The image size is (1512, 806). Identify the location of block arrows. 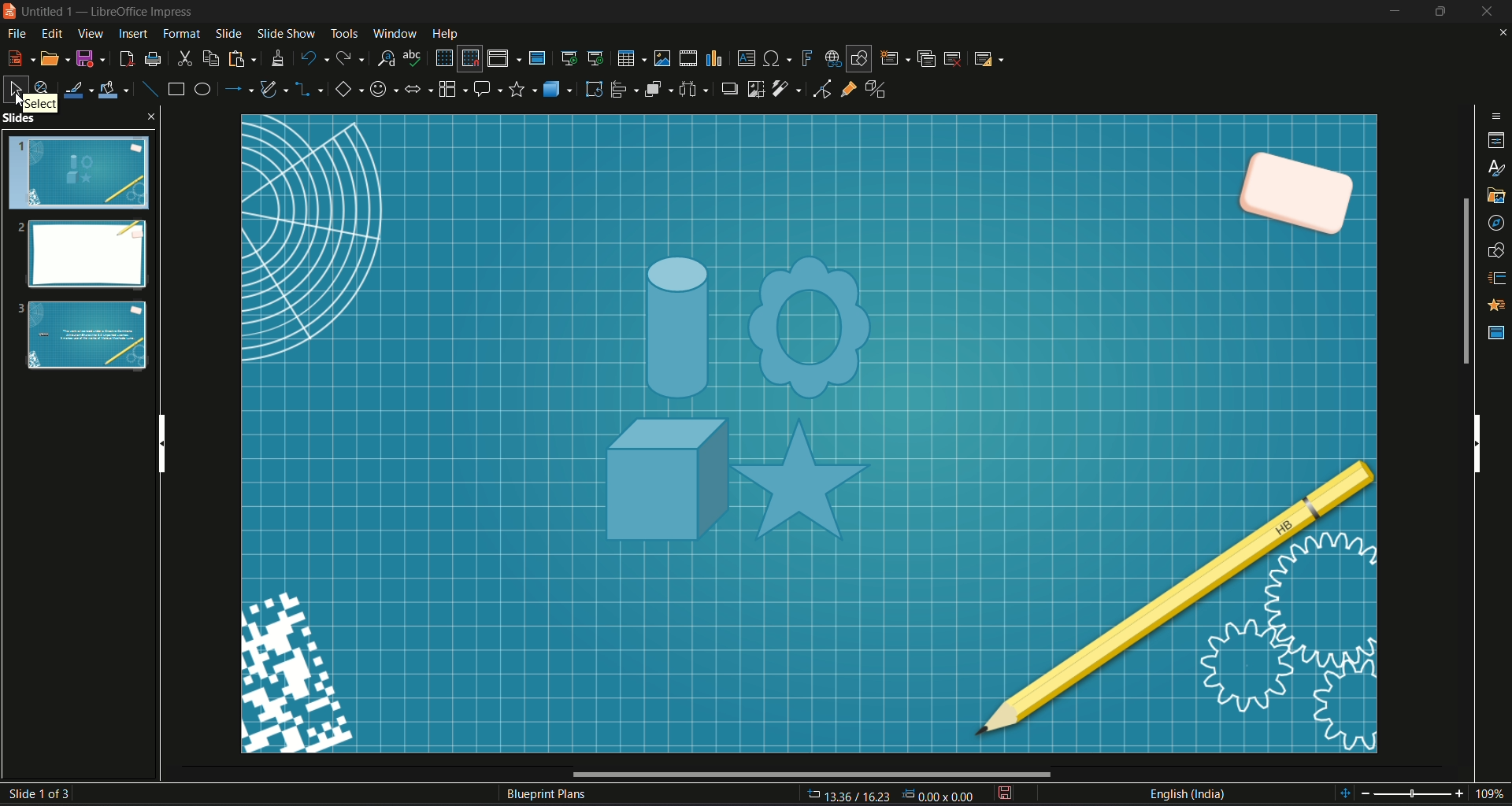
(417, 91).